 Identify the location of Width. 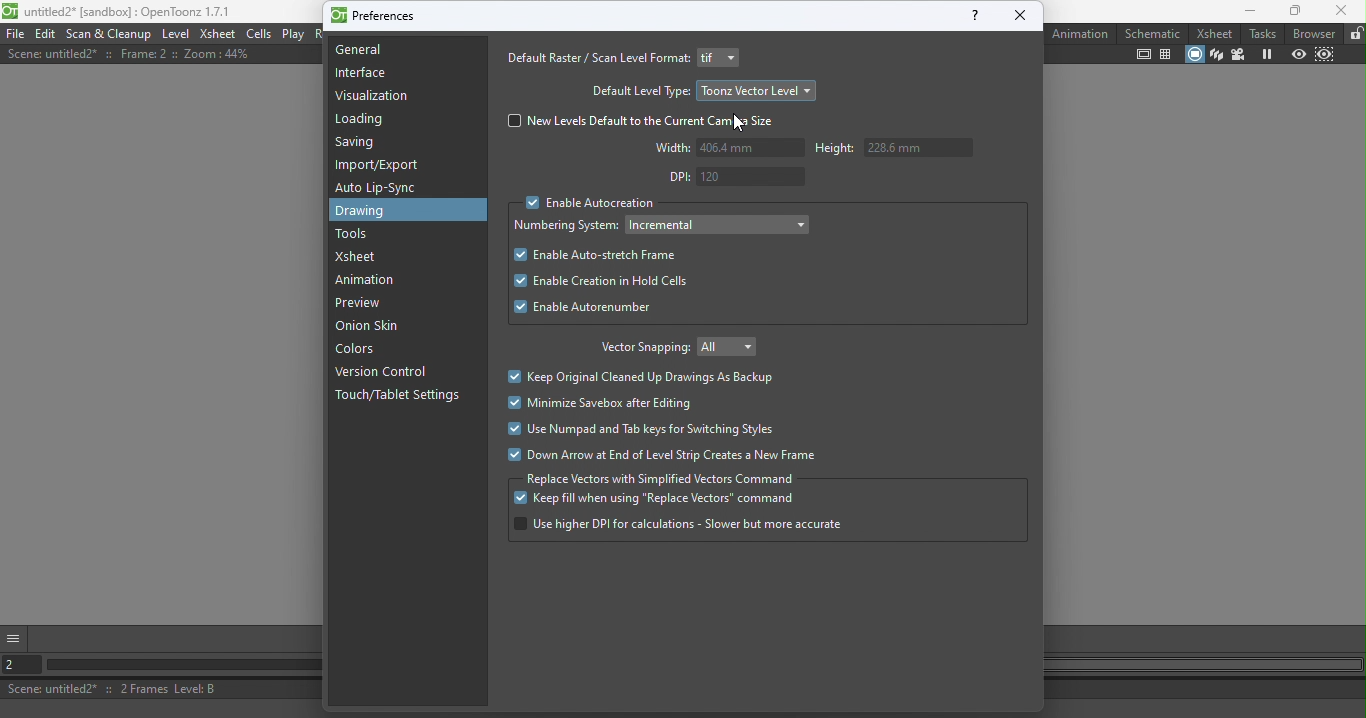
(728, 148).